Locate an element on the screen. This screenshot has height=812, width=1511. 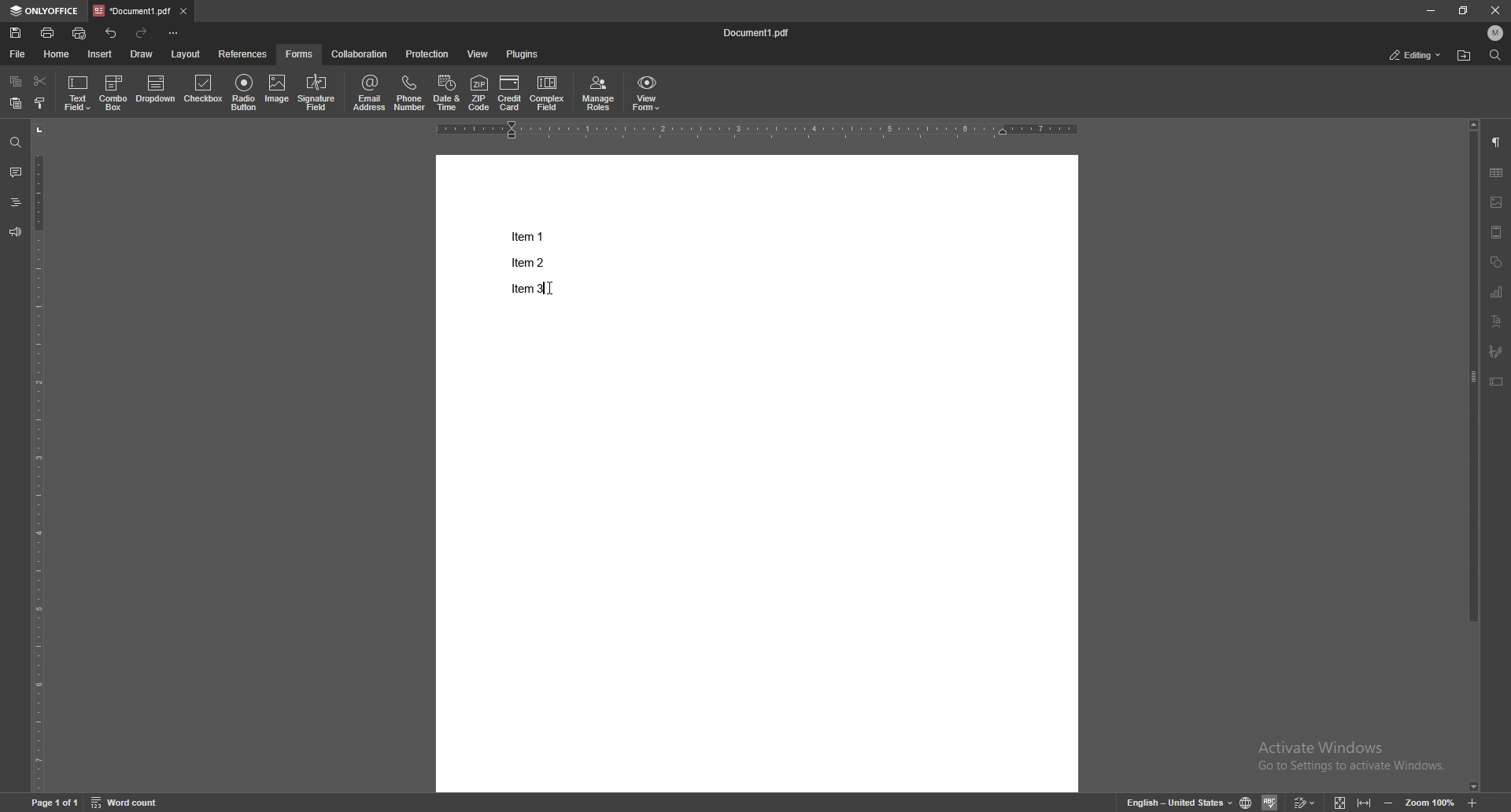
find location is located at coordinates (1464, 57).